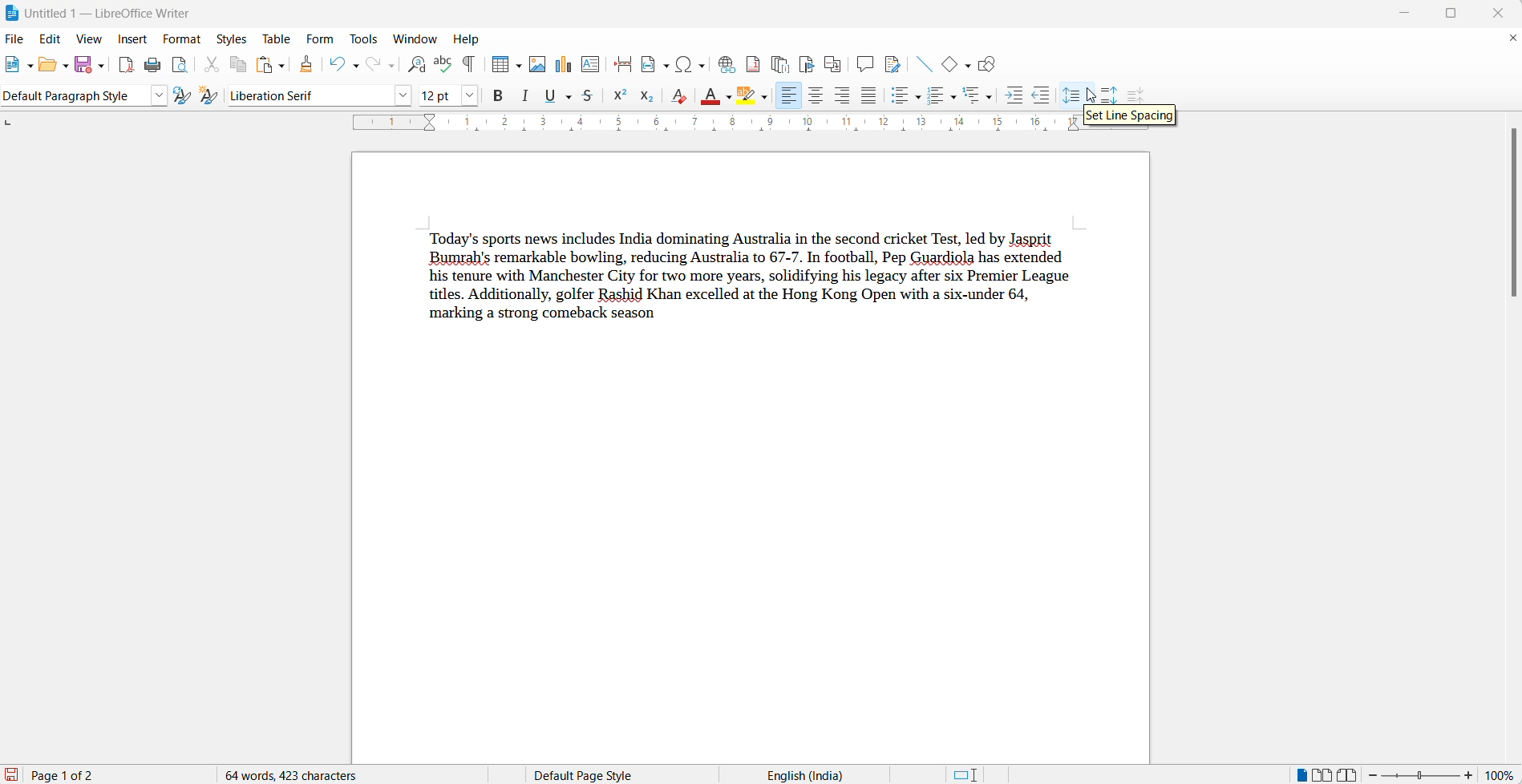 The width and height of the screenshot is (1522, 784). I want to click on show track changes functions, so click(893, 63).